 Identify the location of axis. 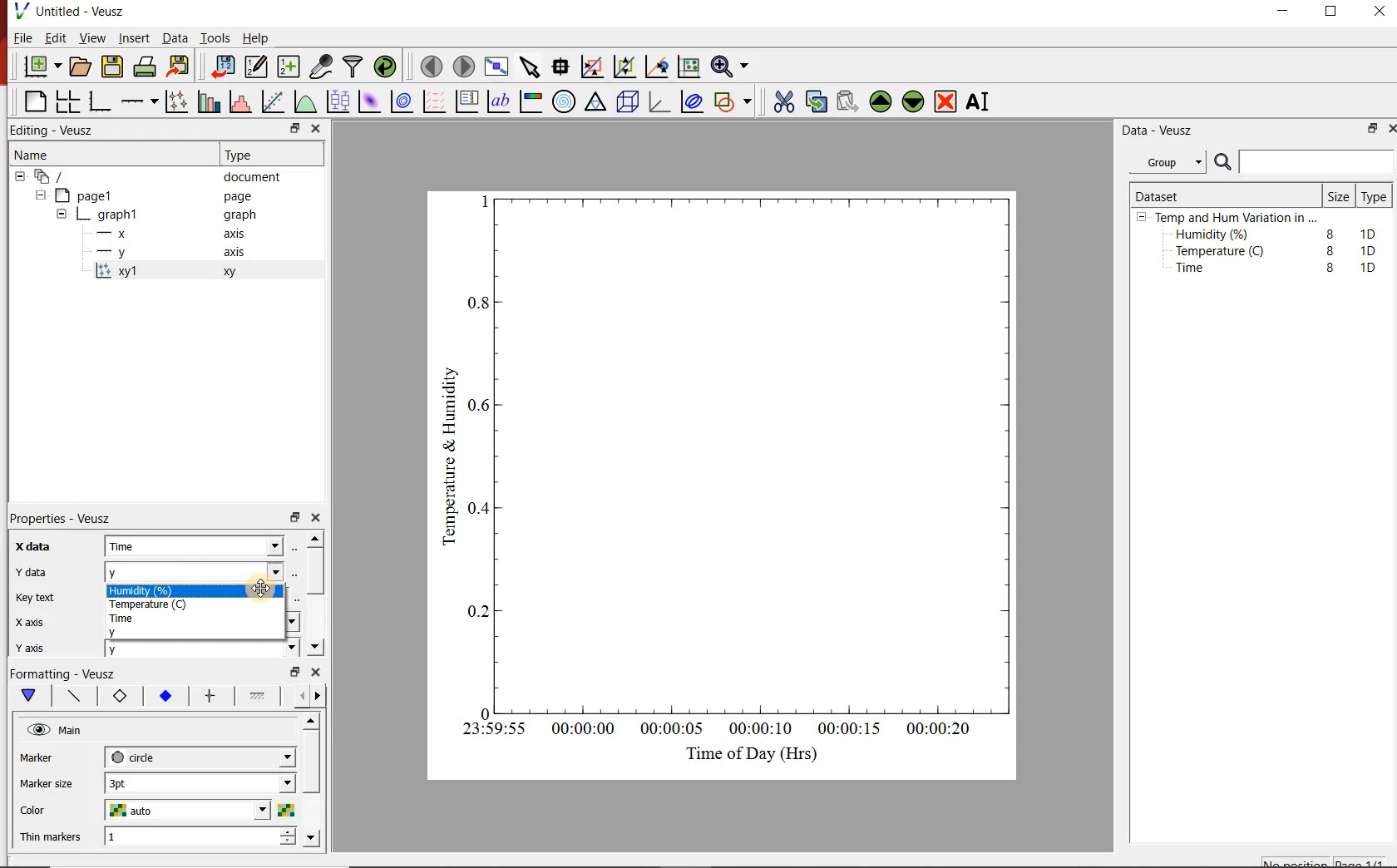
(239, 235).